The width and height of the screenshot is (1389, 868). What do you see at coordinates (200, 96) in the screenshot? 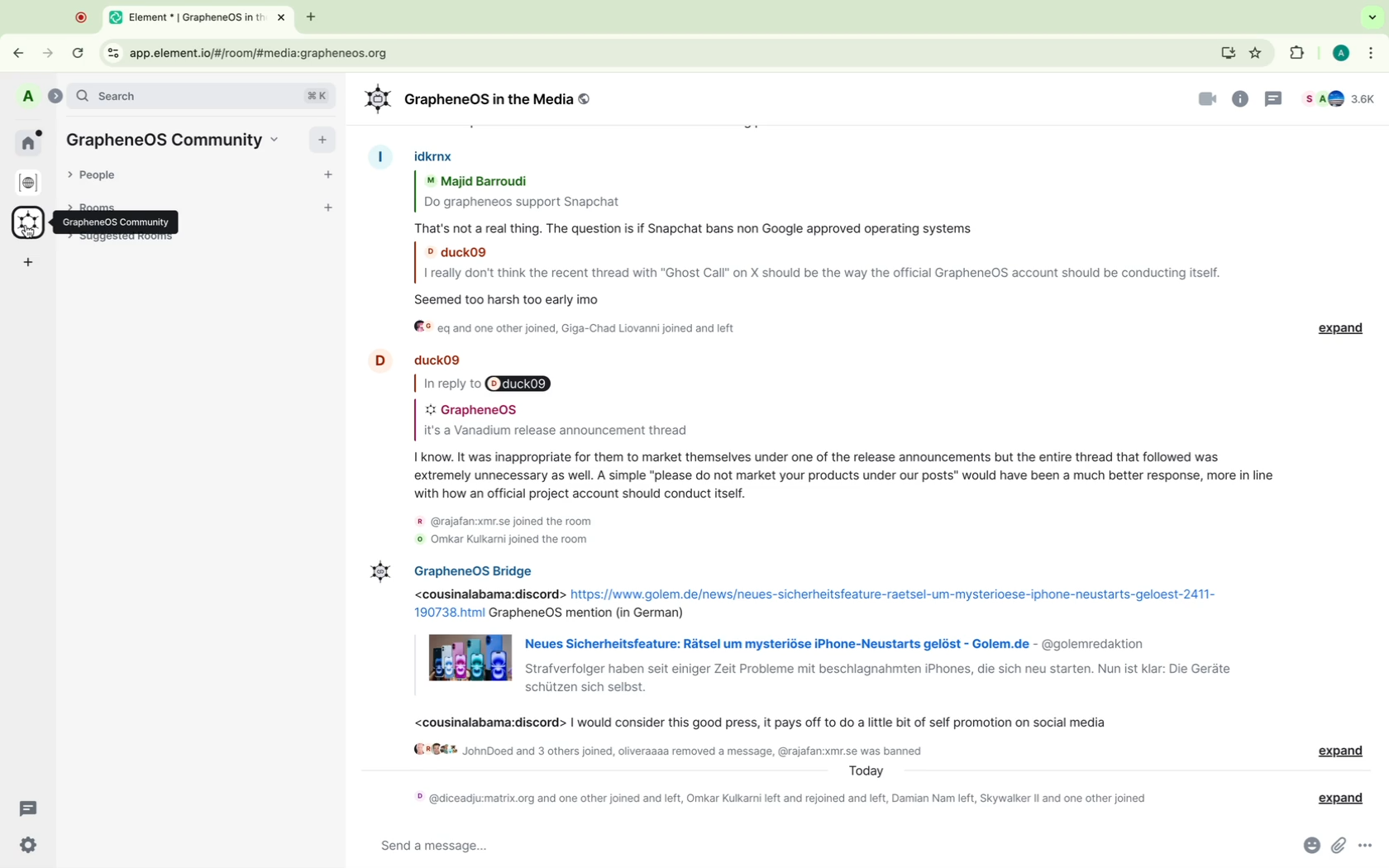
I see `Search bar` at bounding box center [200, 96].